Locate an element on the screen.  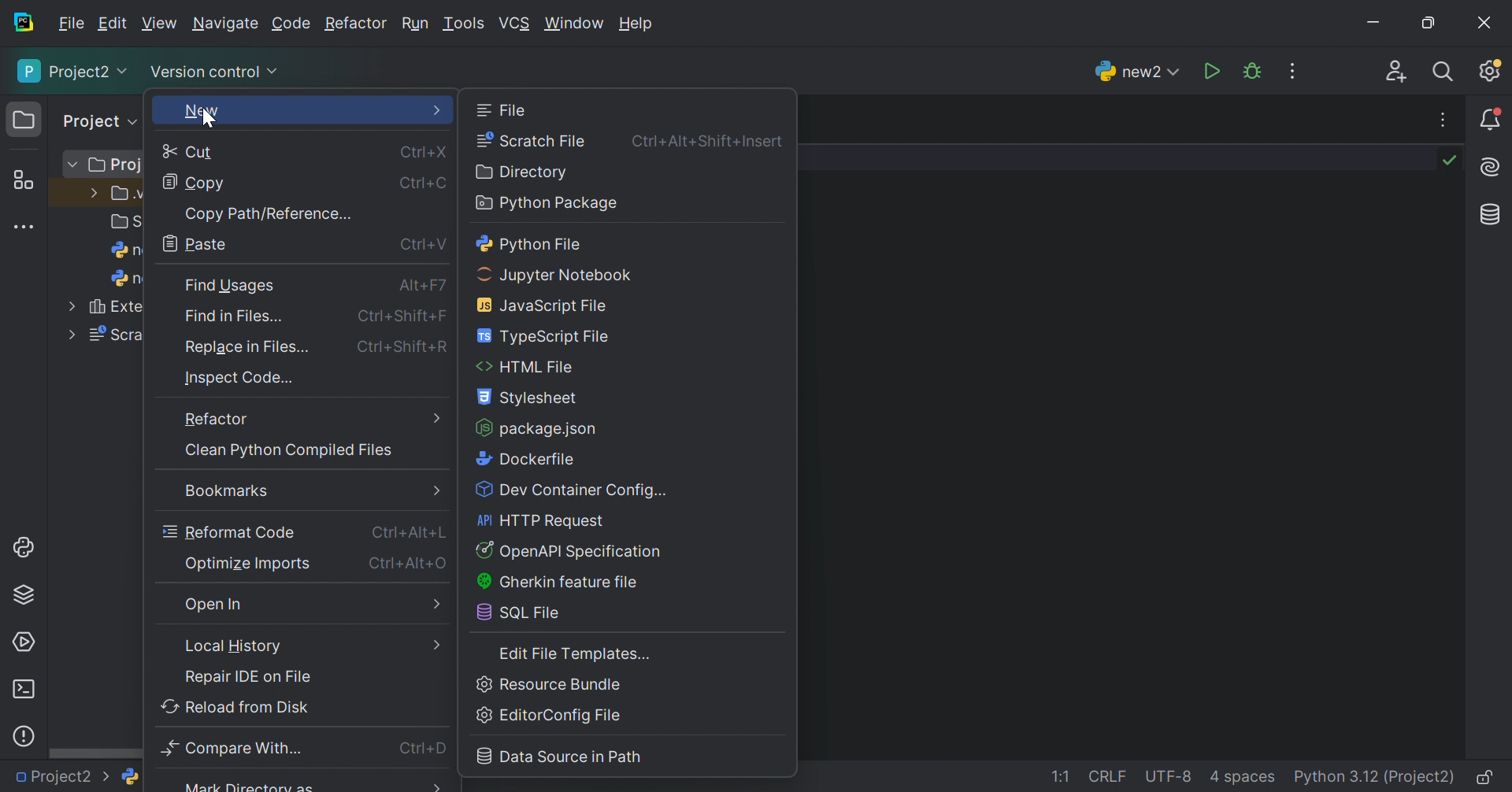
4 spaces is located at coordinates (1243, 775).